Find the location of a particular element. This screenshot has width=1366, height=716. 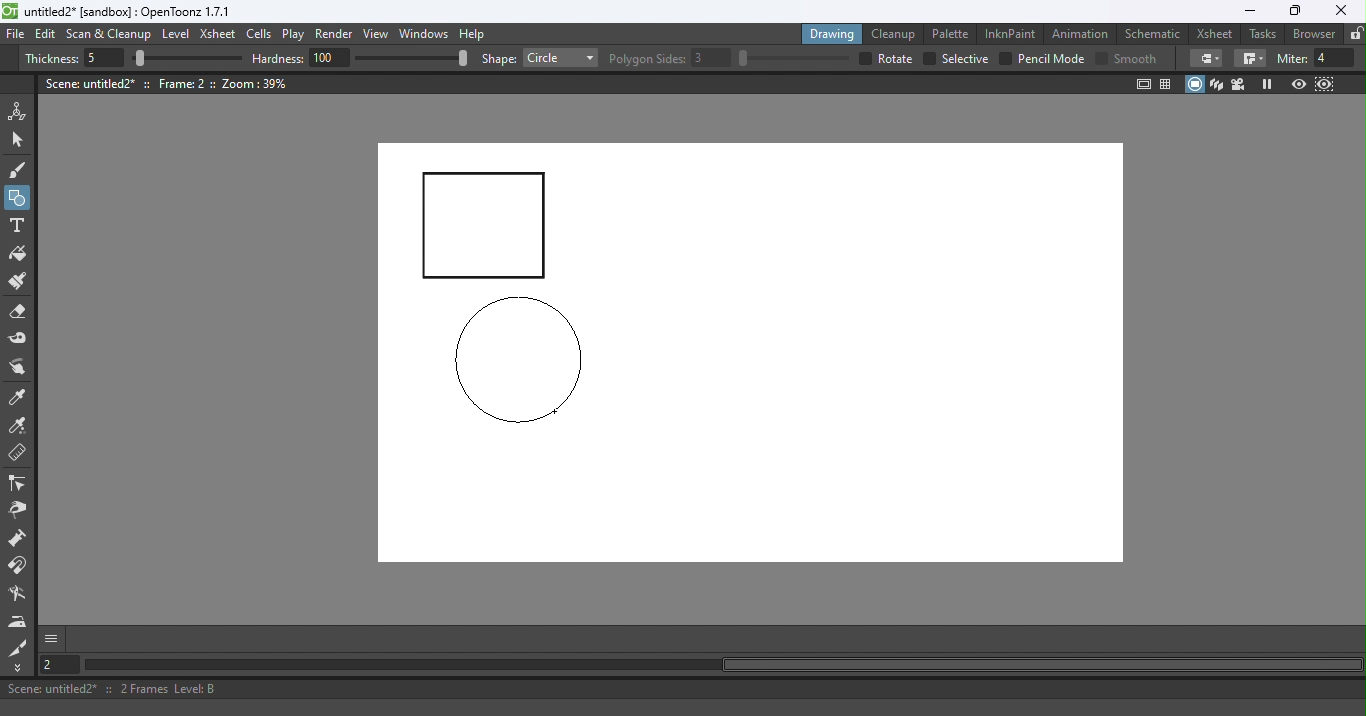

Pencil mode is located at coordinates (1050, 59).